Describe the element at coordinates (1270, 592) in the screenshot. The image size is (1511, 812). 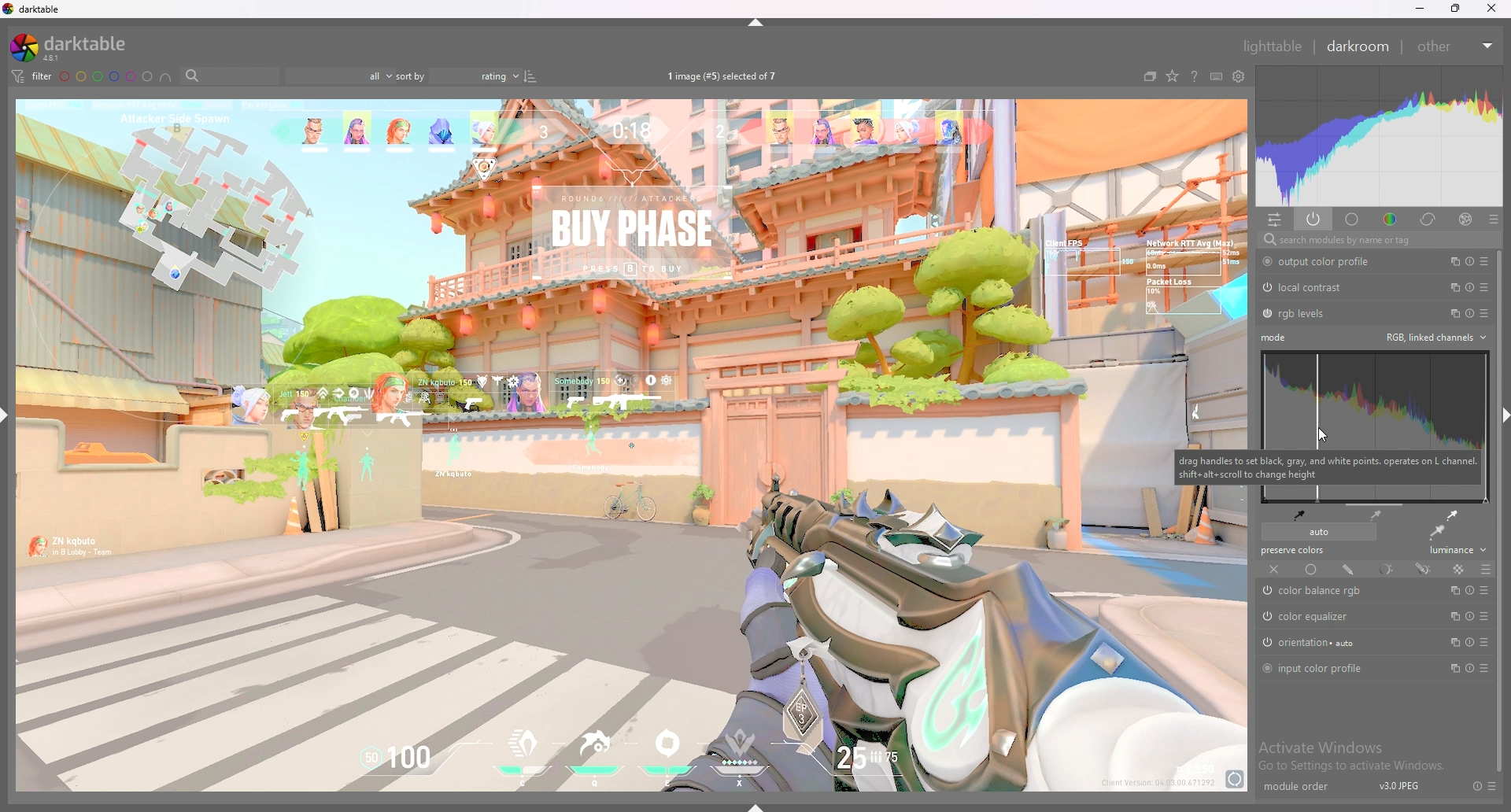
I see `switched on` at that location.